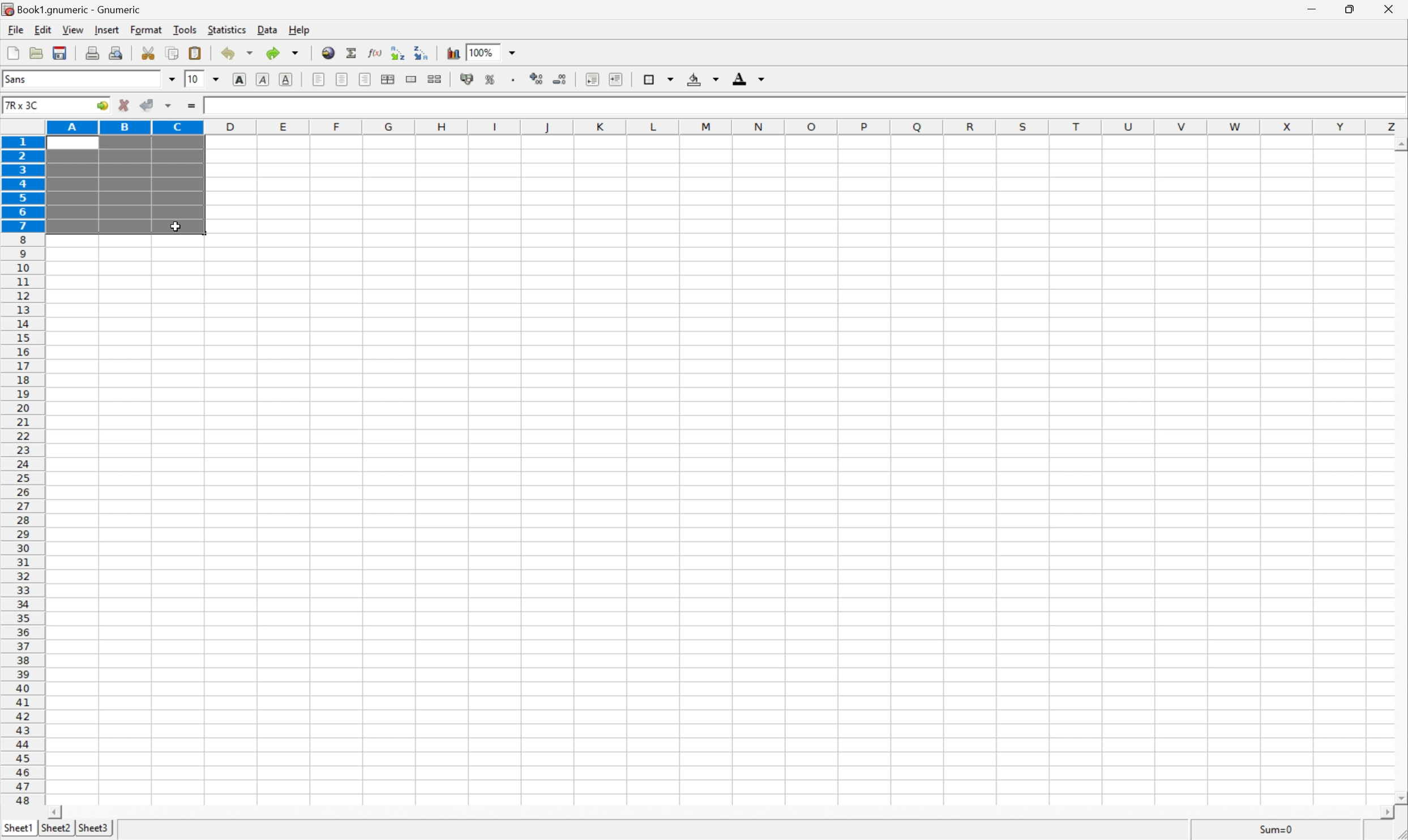  What do you see at coordinates (1399, 145) in the screenshot?
I see `scroll up` at bounding box center [1399, 145].